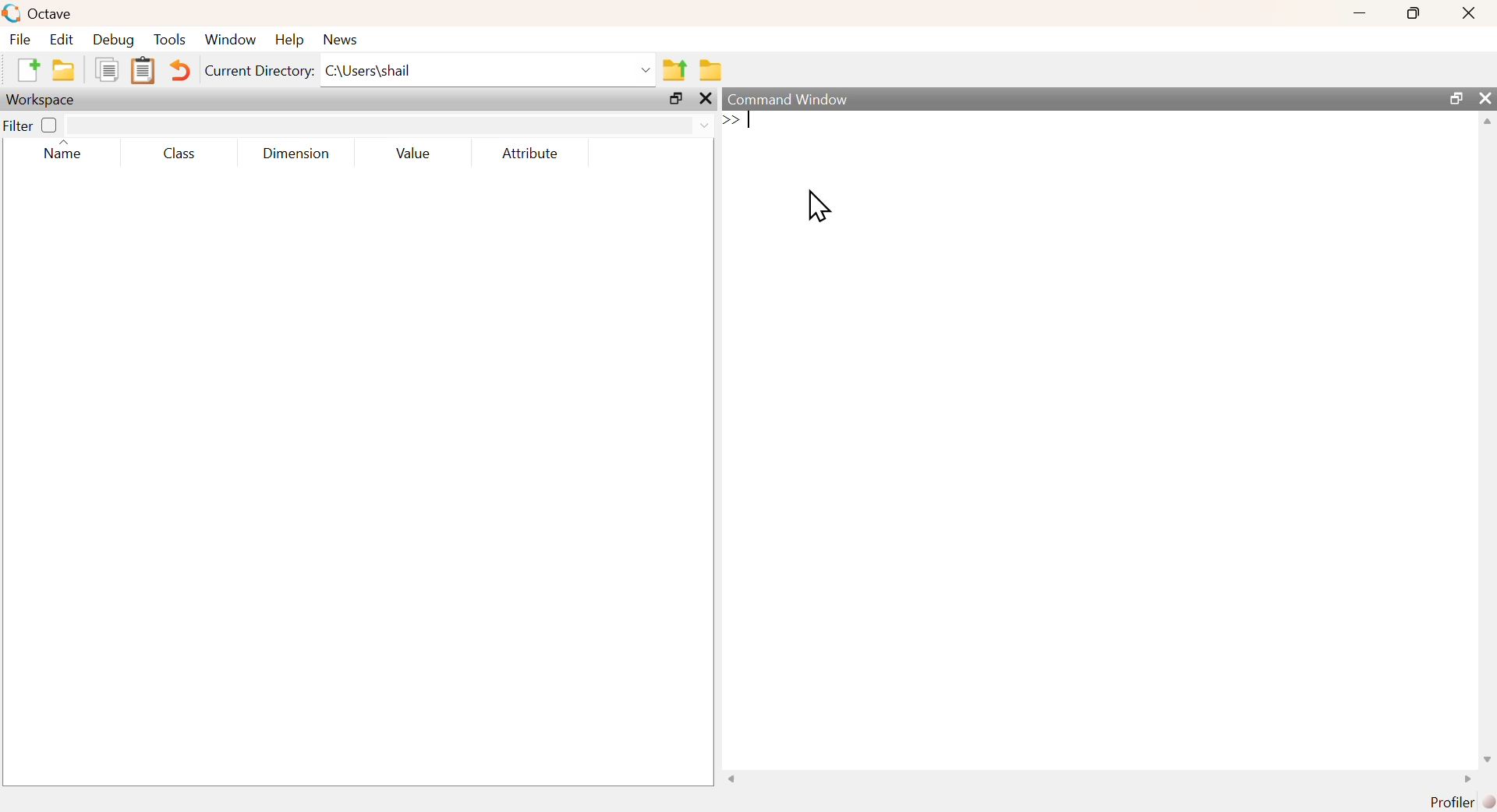  I want to click on Tools, so click(170, 39).